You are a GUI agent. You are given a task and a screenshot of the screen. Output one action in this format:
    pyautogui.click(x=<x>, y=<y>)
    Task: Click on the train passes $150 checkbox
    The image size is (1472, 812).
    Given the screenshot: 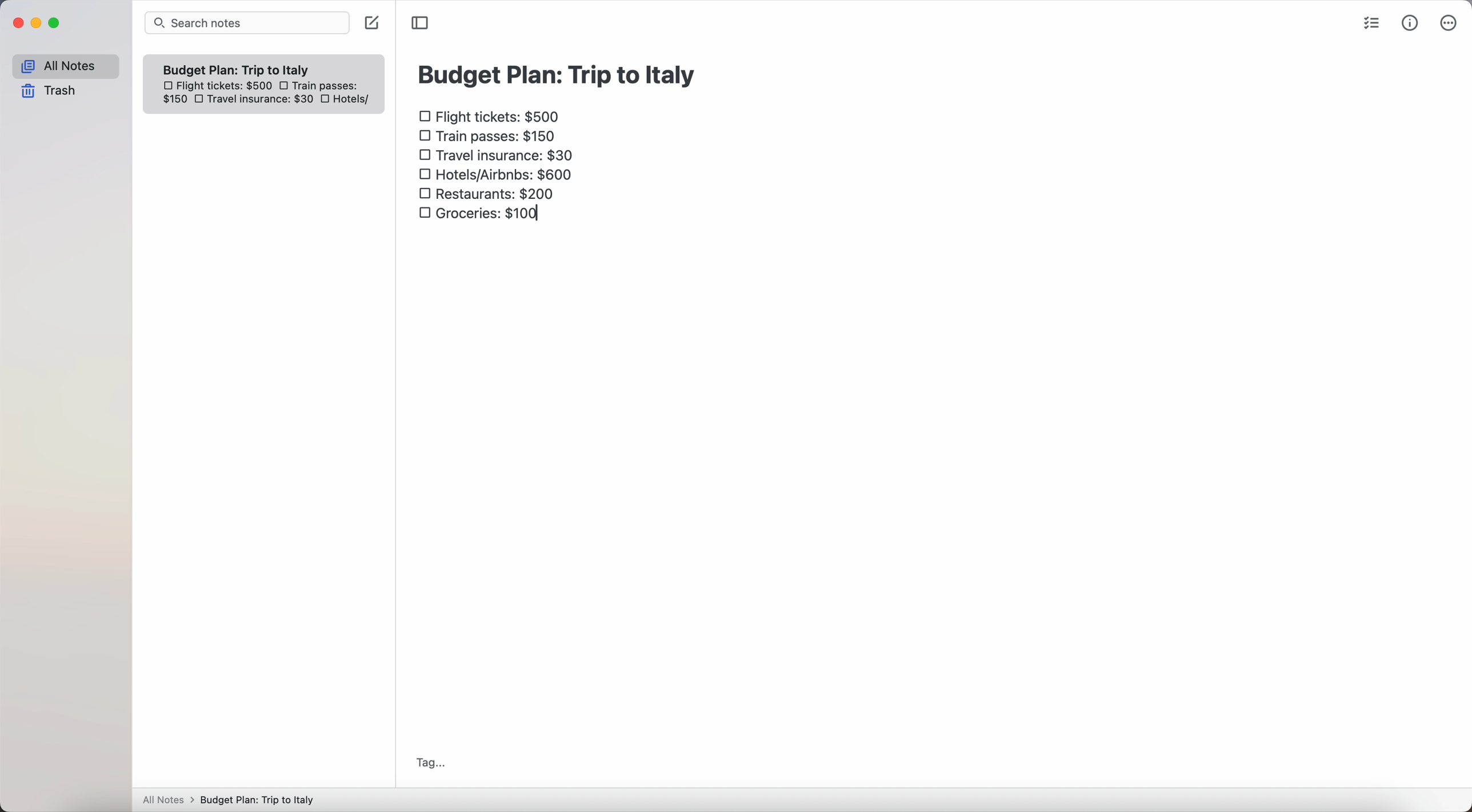 What is the action you would take?
    pyautogui.click(x=489, y=139)
    